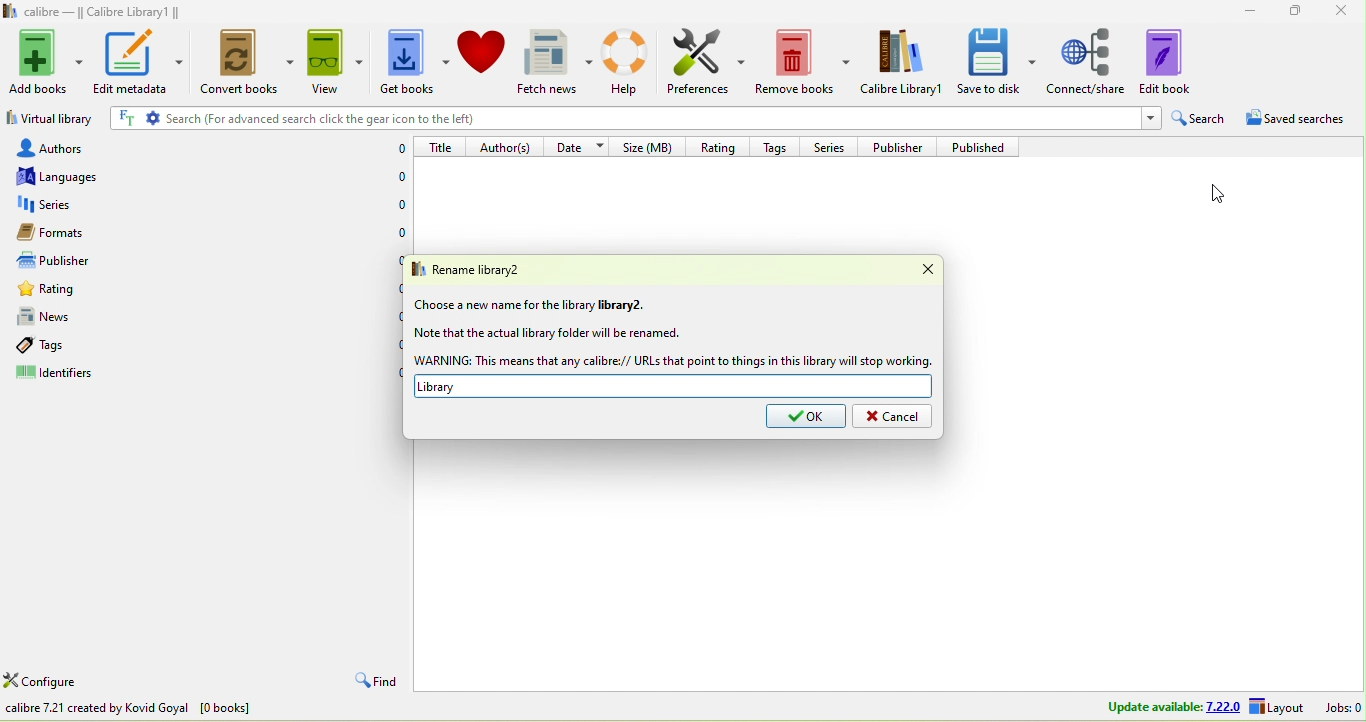 The width and height of the screenshot is (1366, 722). What do you see at coordinates (393, 258) in the screenshot?
I see `0` at bounding box center [393, 258].